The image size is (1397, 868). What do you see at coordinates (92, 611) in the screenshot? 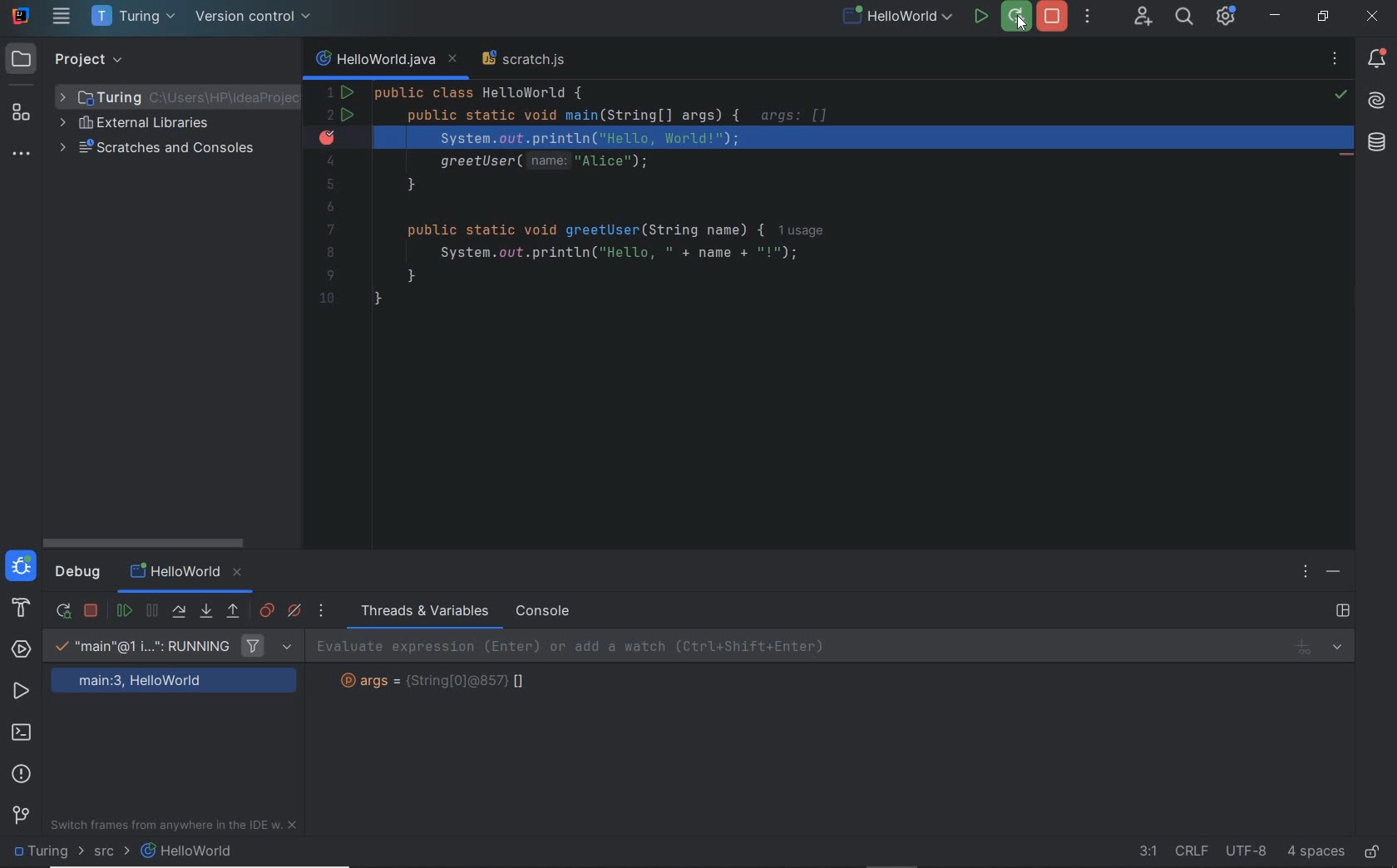
I see `stop` at bounding box center [92, 611].